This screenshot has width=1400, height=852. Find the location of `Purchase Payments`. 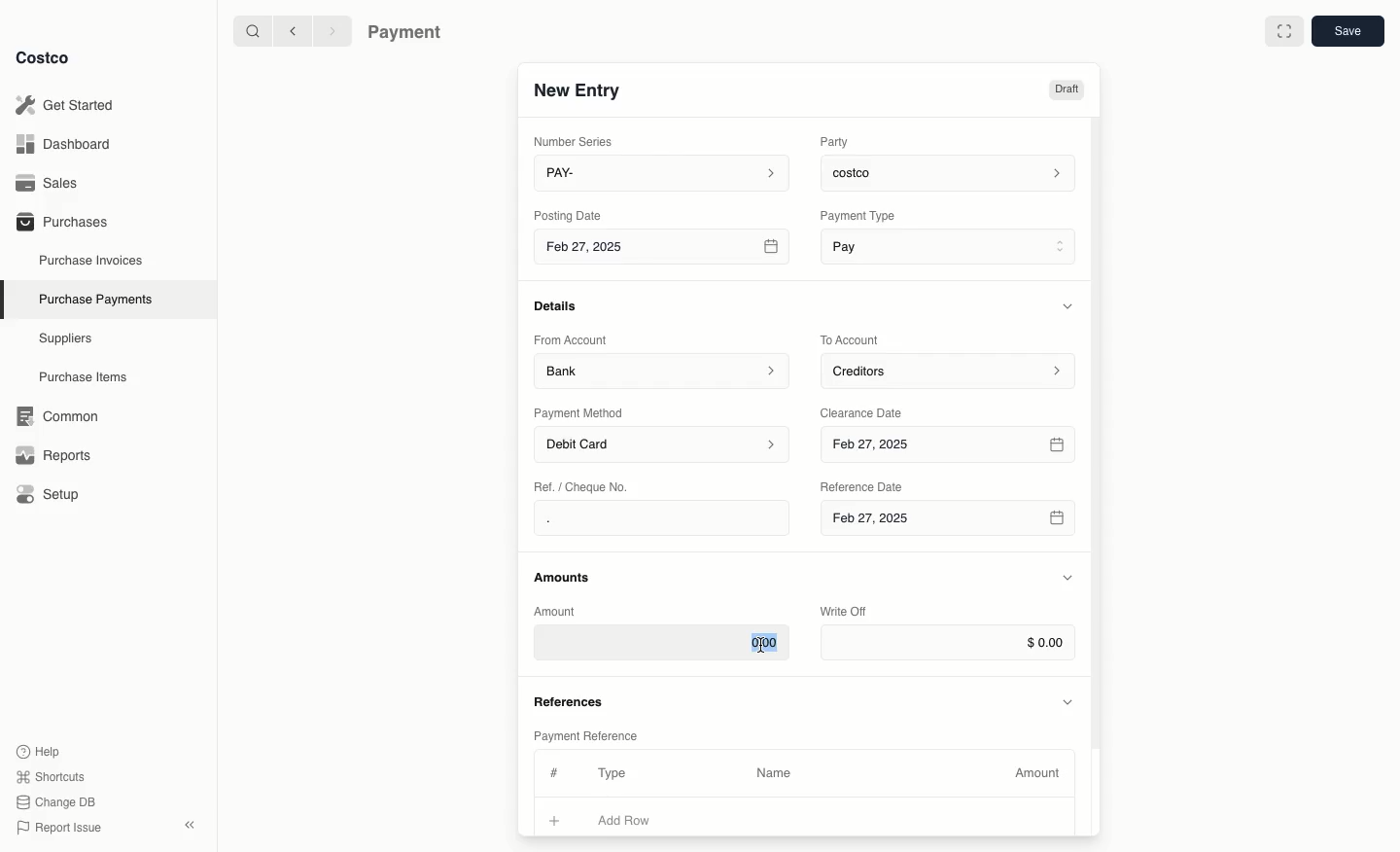

Purchase Payments is located at coordinates (94, 298).